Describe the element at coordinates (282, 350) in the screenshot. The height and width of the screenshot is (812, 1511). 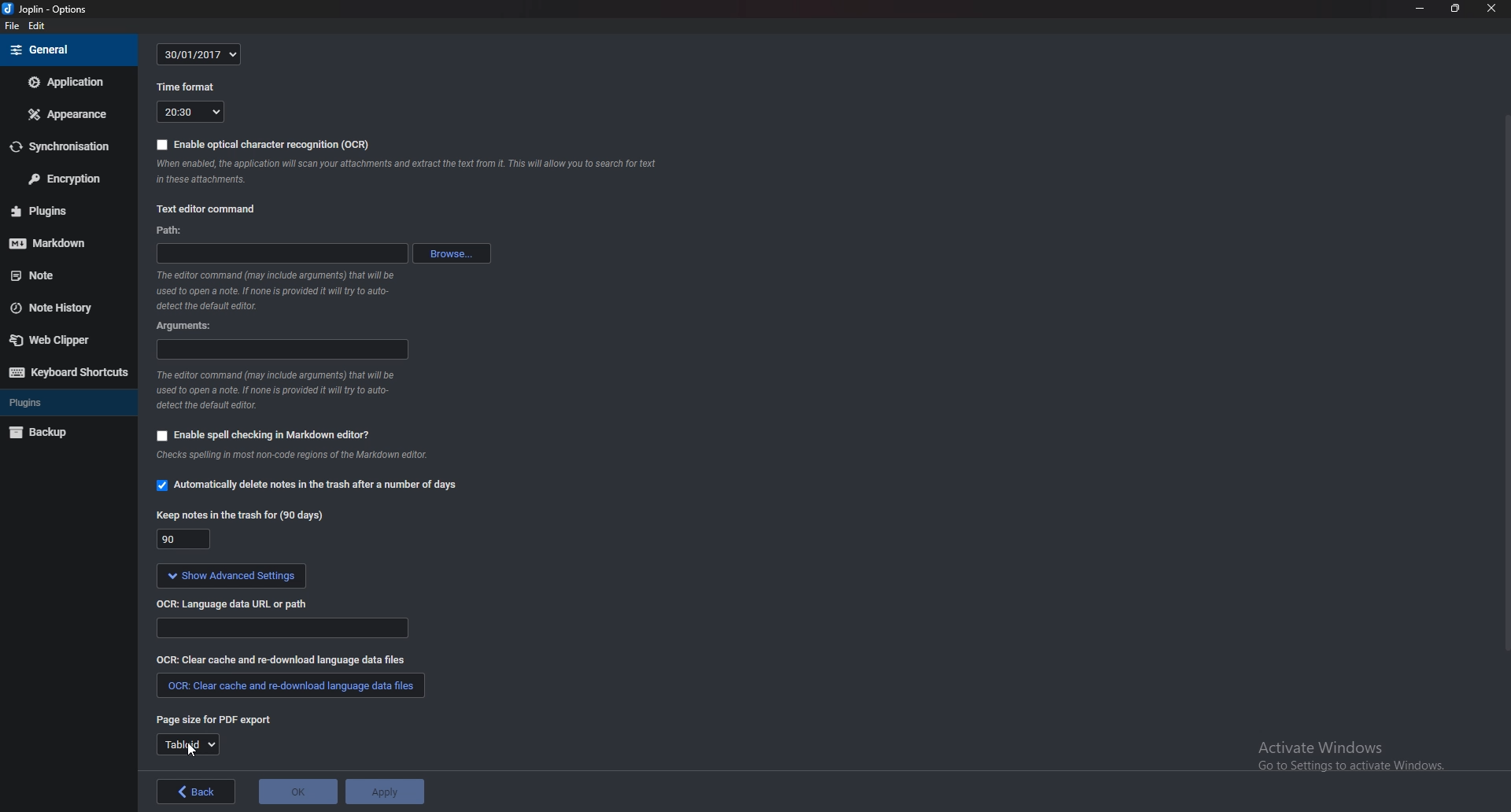
I see `argument` at that location.